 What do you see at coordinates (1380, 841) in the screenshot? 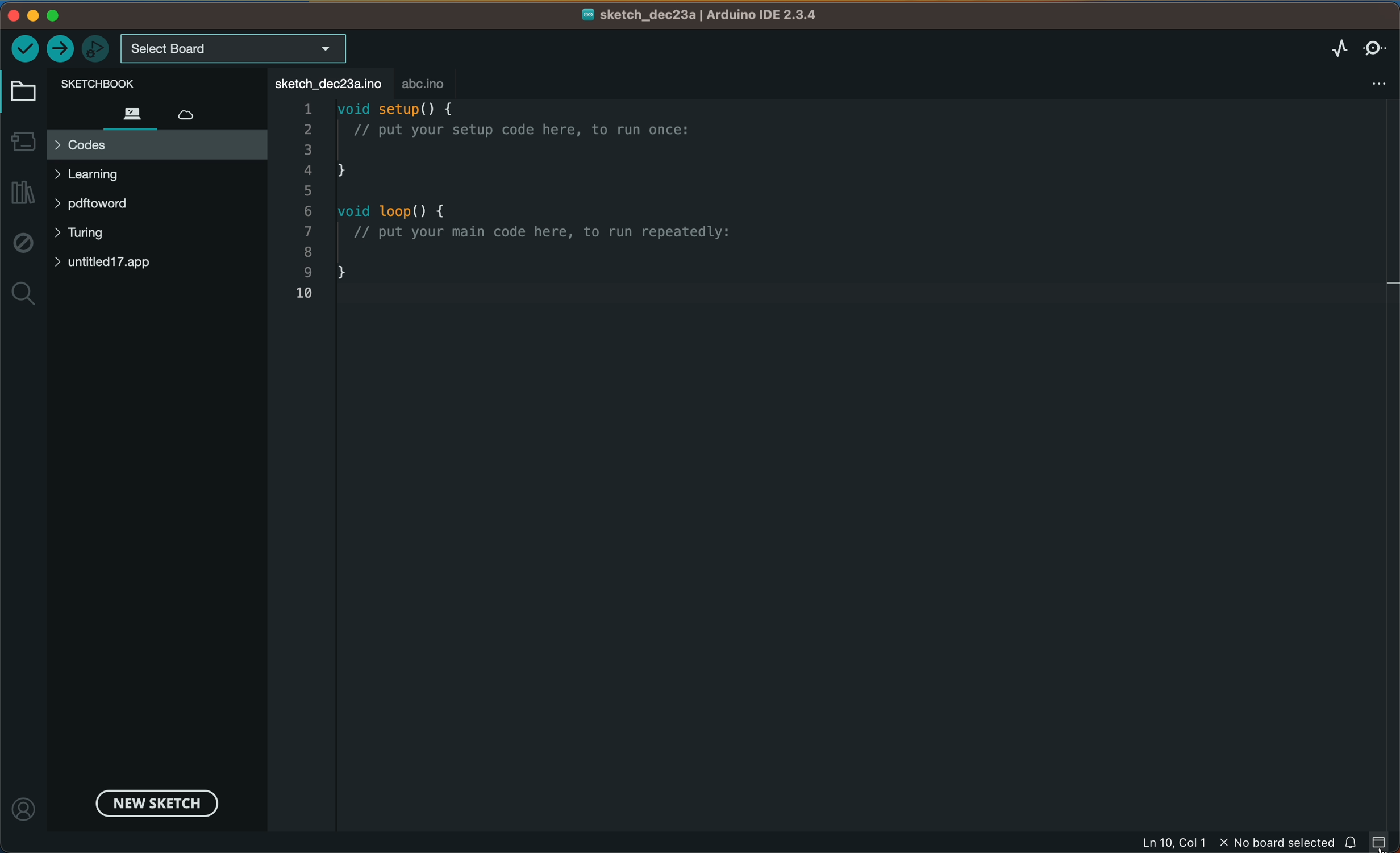
I see `close slide bar` at bounding box center [1380, 841].